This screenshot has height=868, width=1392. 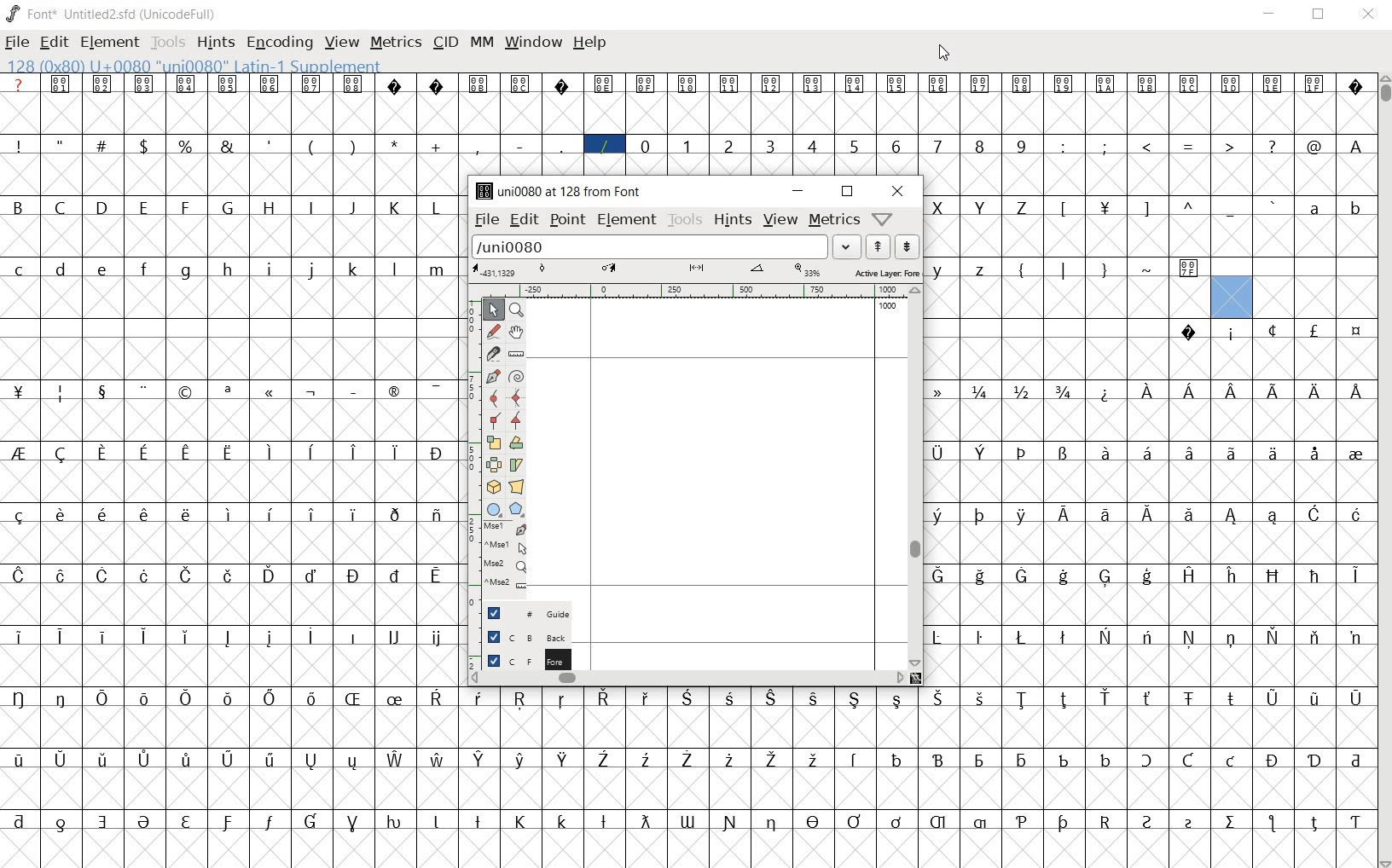 I want to click on glyph, so click(x=1145, y=210).